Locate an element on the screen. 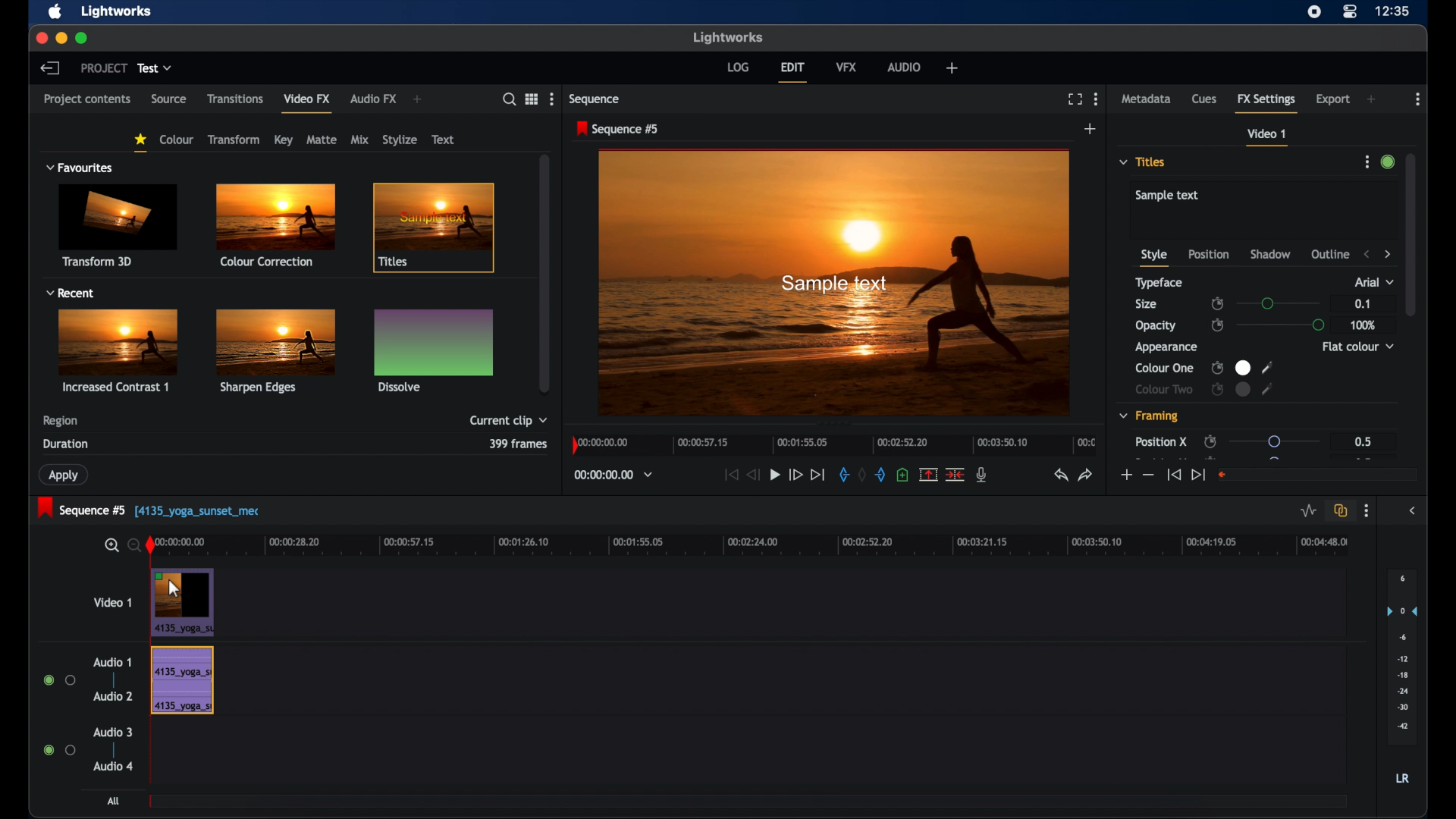  title is located at coordinates (438, 229).